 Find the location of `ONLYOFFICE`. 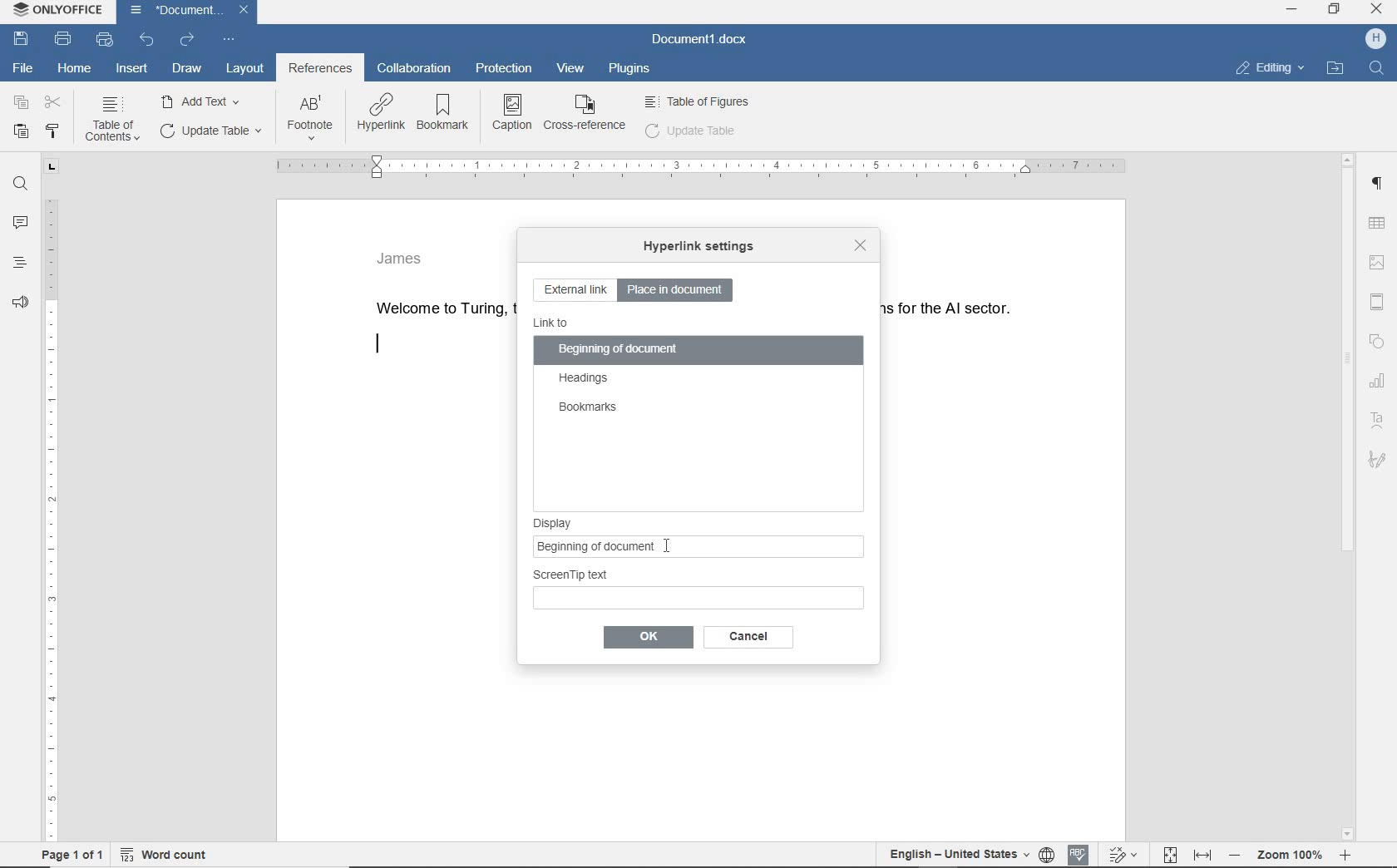

ONLYOFFICE is located at coordinates (56, 10).